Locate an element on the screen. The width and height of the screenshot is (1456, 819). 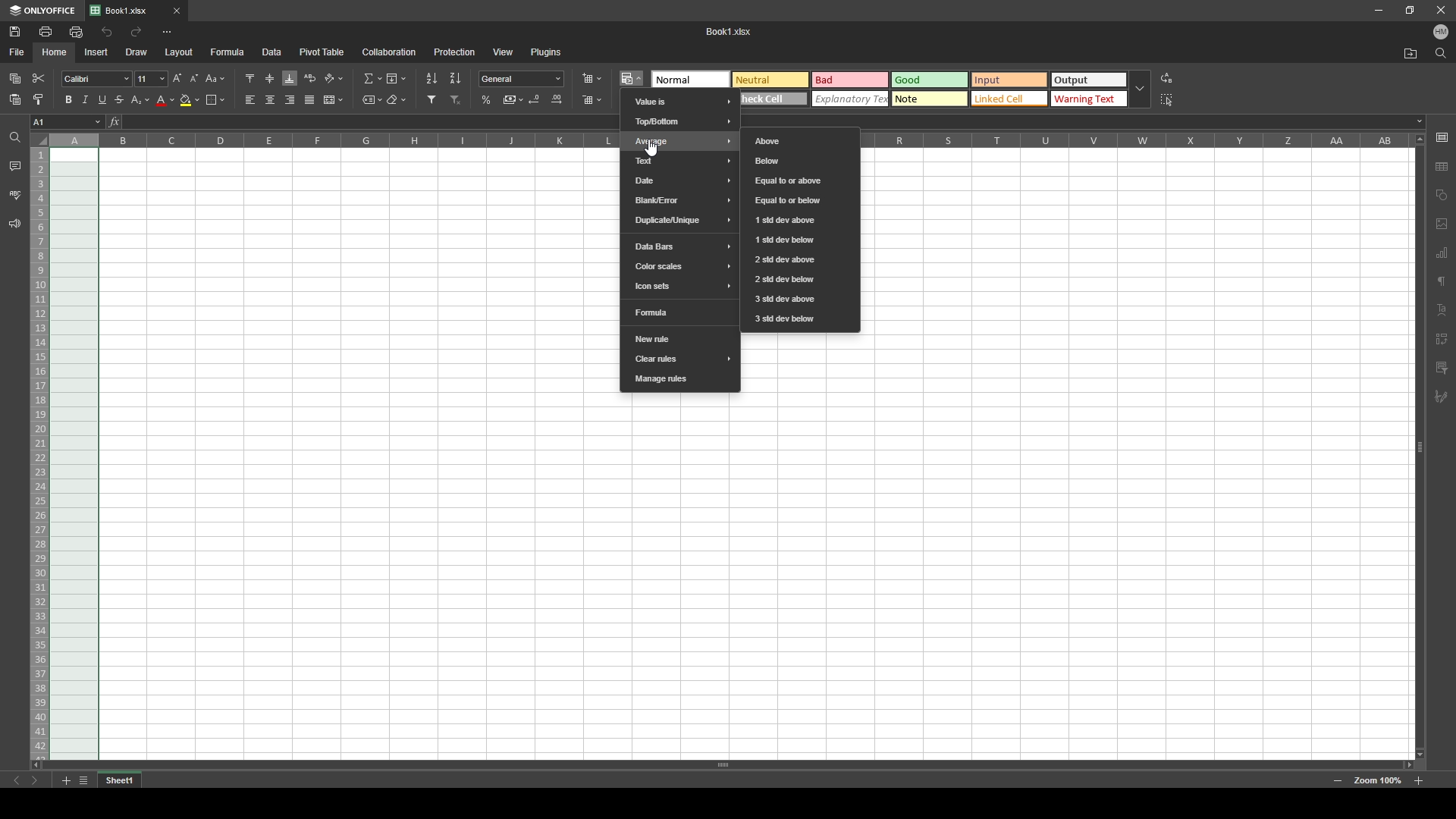
merge and center is located at coordinates (333, 99).